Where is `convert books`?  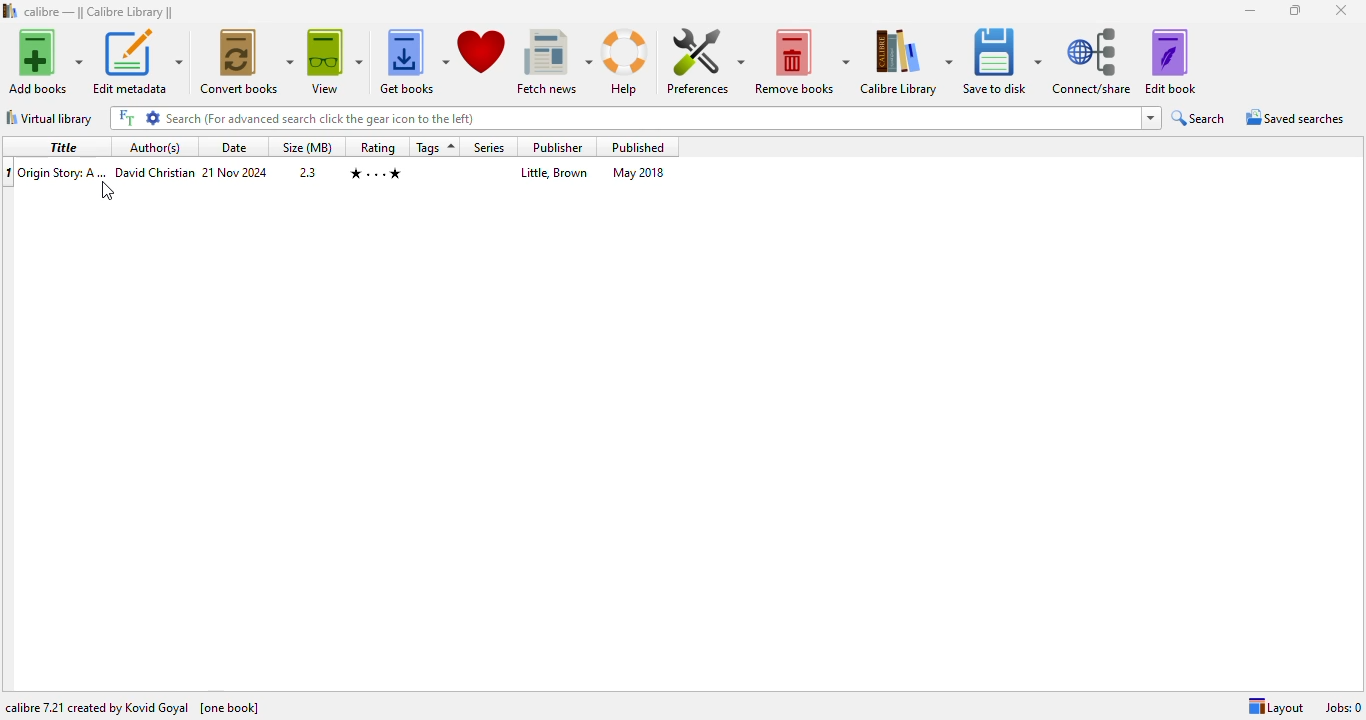 convert books is located at coordinates (245, 61).